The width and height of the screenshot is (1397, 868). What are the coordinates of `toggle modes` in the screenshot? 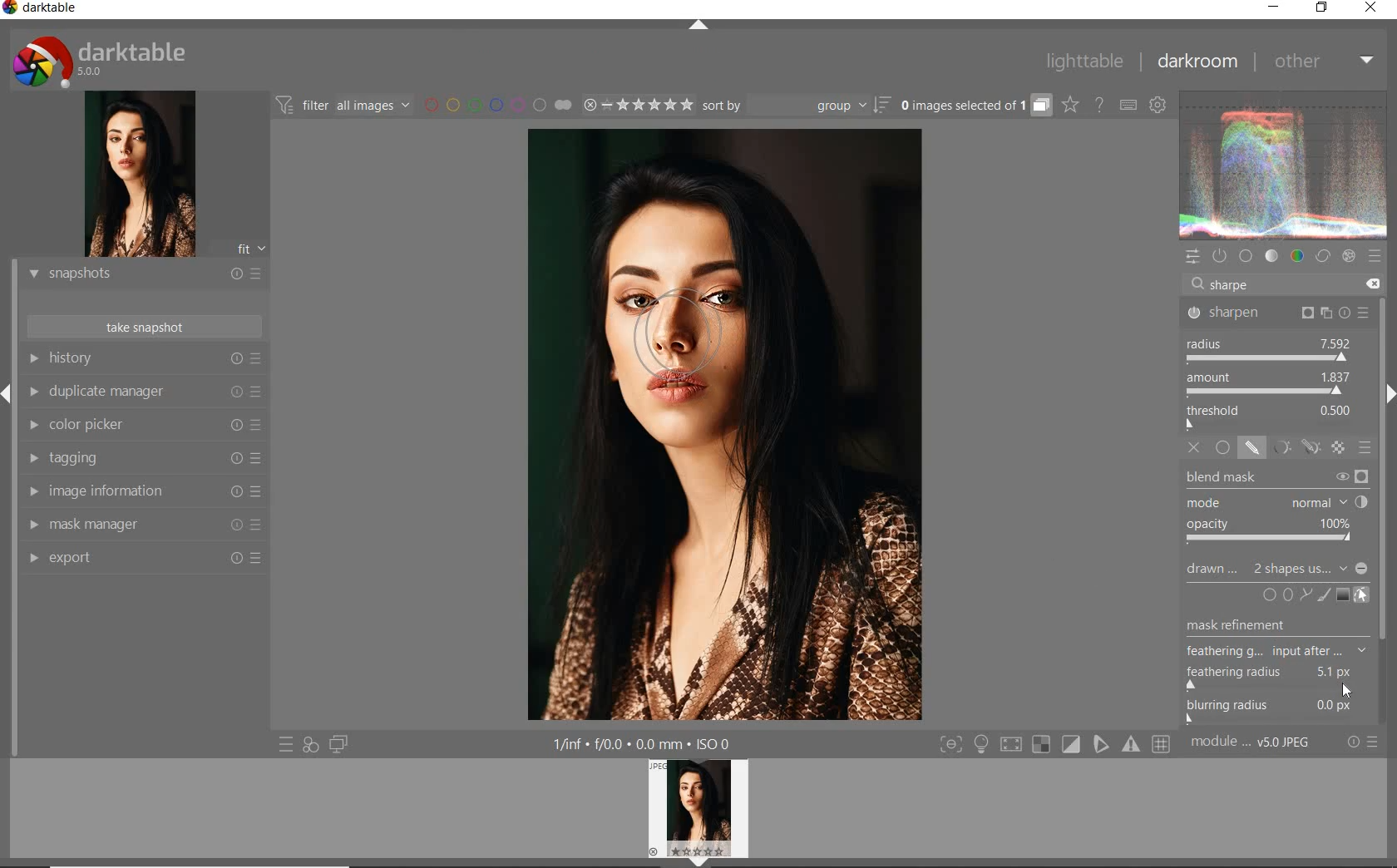 It's located at (951, 745).